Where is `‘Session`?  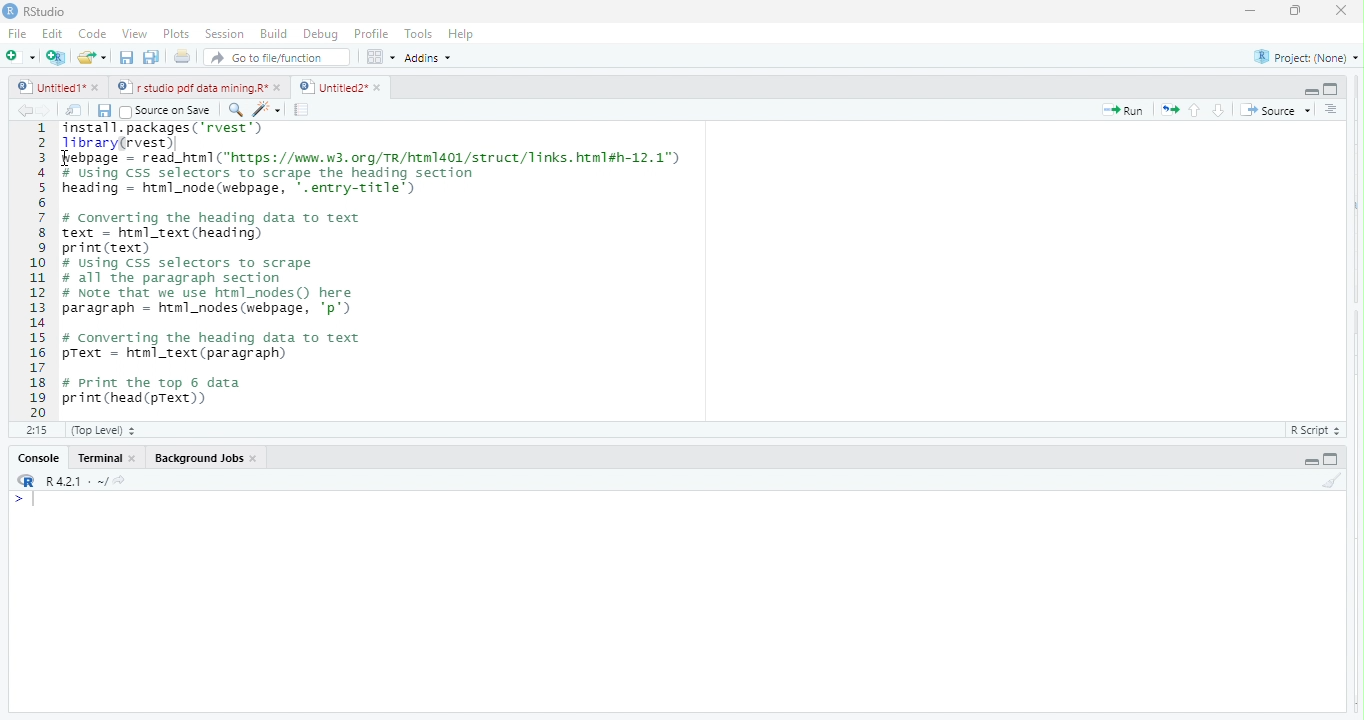 ‘Session is located at coordinates (223, 34).